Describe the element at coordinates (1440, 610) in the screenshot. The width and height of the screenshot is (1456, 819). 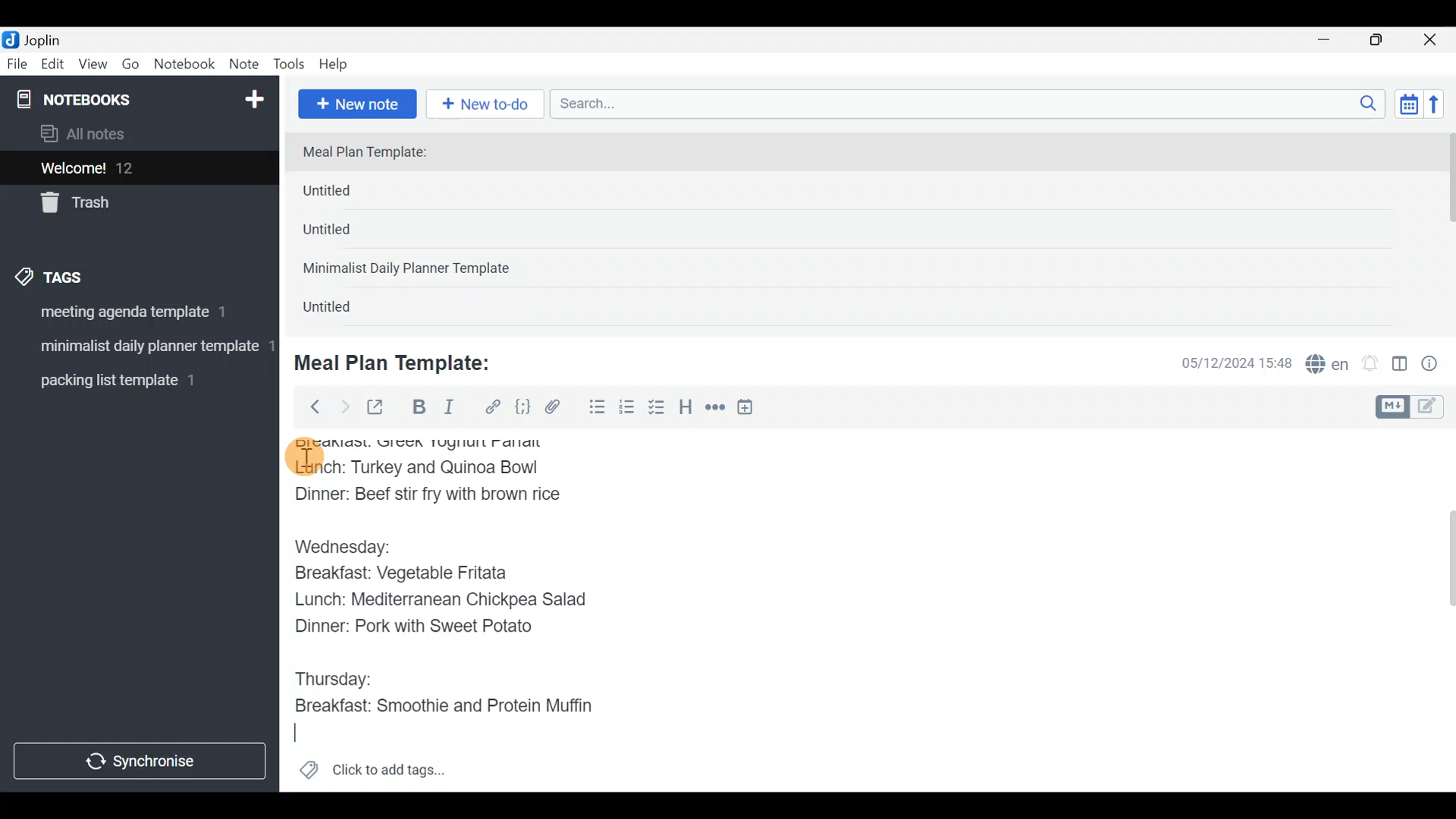
I see `Scroll bar` at that location.